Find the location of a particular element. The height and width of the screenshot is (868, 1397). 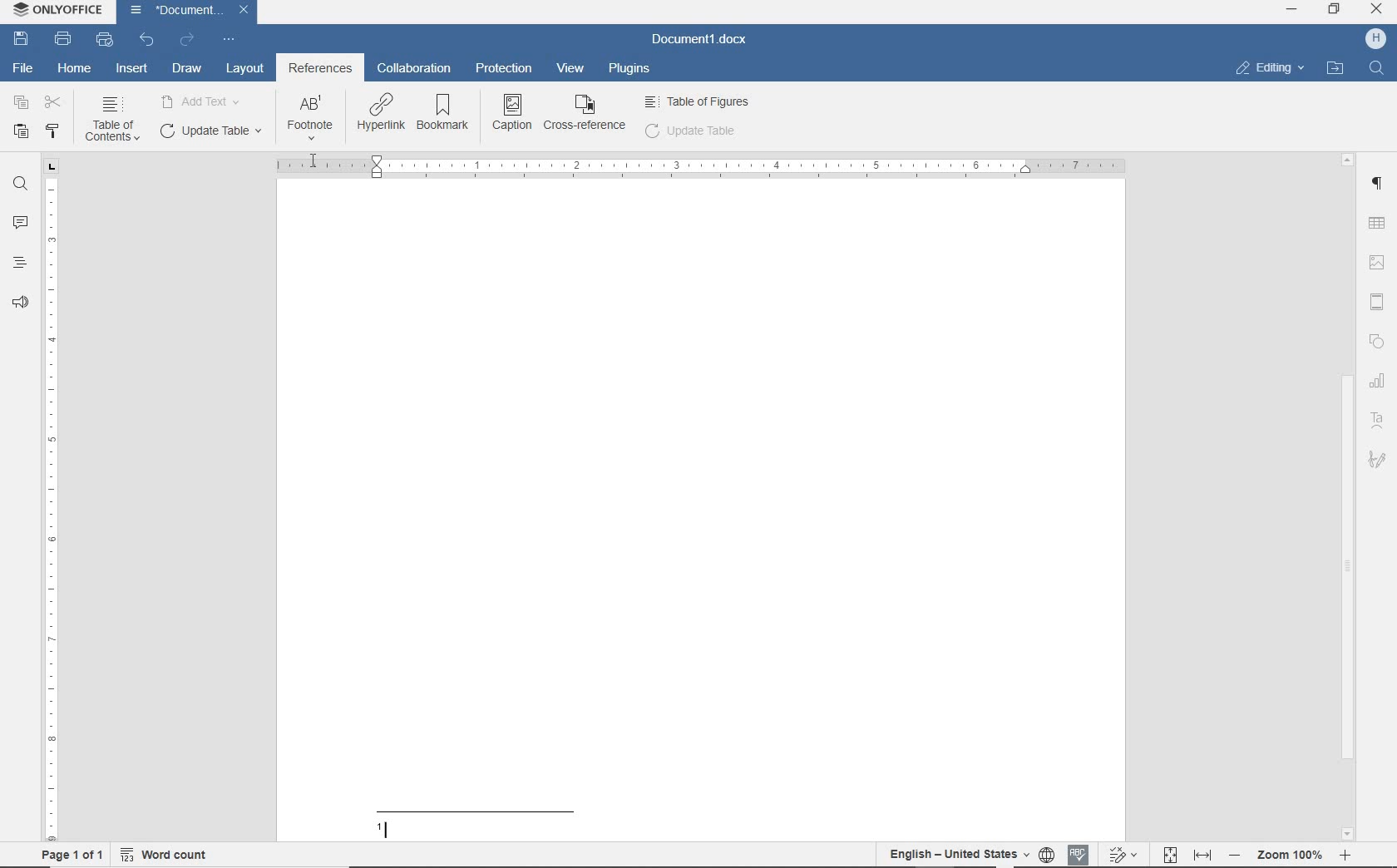

scrollbar is located at coordinates (1352, 497).